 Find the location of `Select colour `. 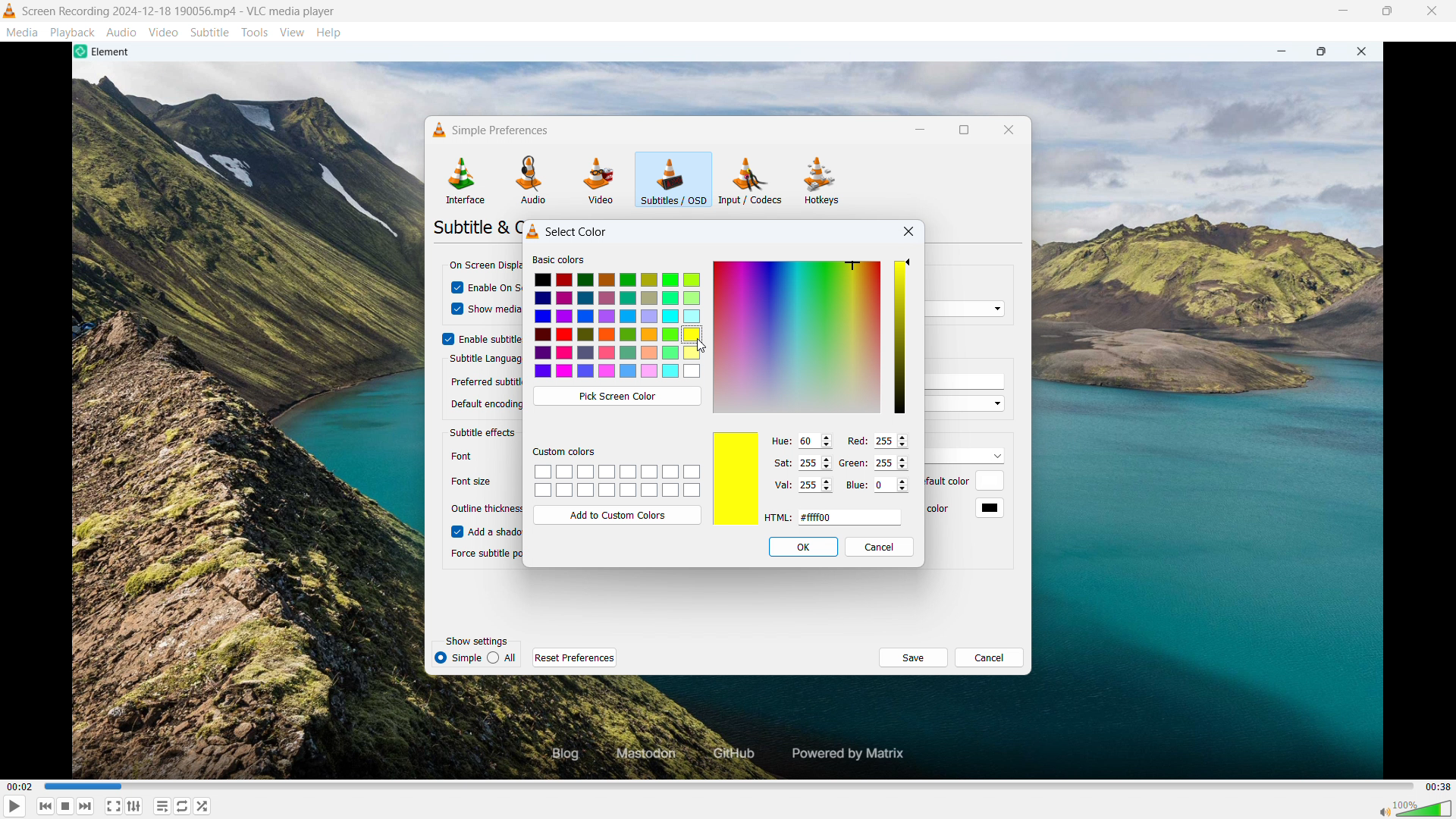

Select colour  is located at coordinates (576, 232).